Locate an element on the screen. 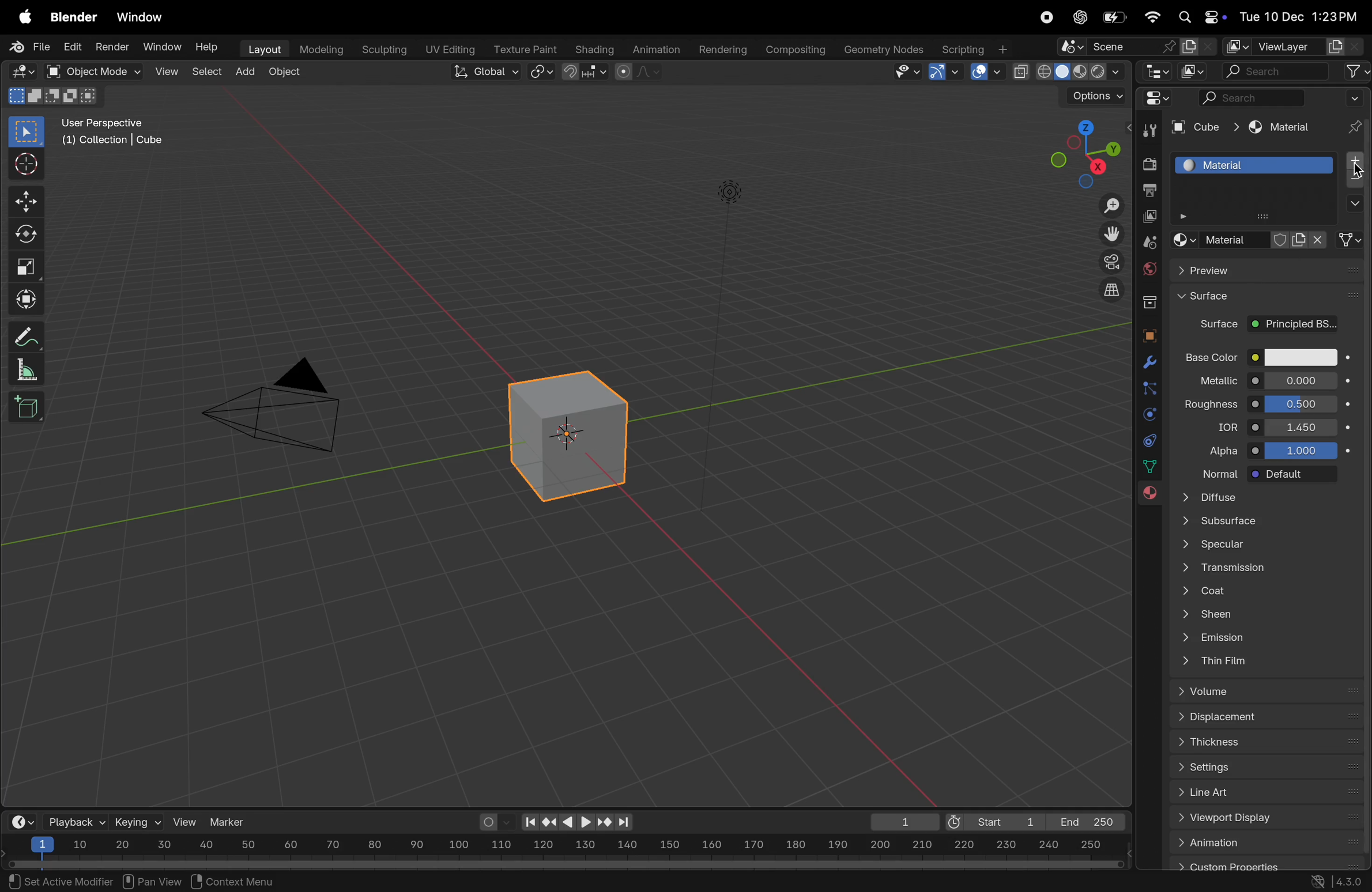  move the view is located at coordinates (1111, 232).